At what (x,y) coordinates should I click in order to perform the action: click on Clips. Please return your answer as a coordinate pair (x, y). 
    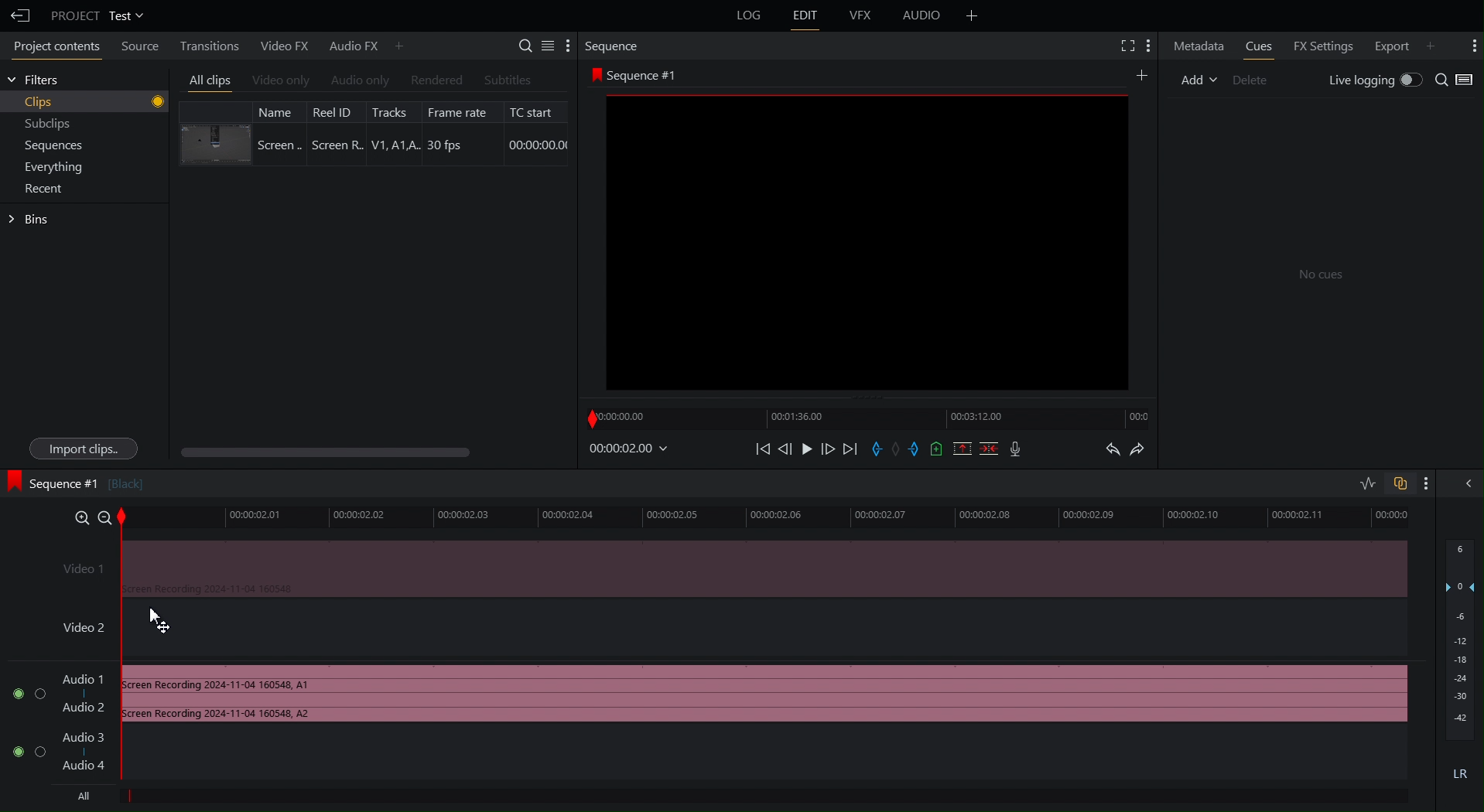
    Looking at the image, I should click on (86, 101).